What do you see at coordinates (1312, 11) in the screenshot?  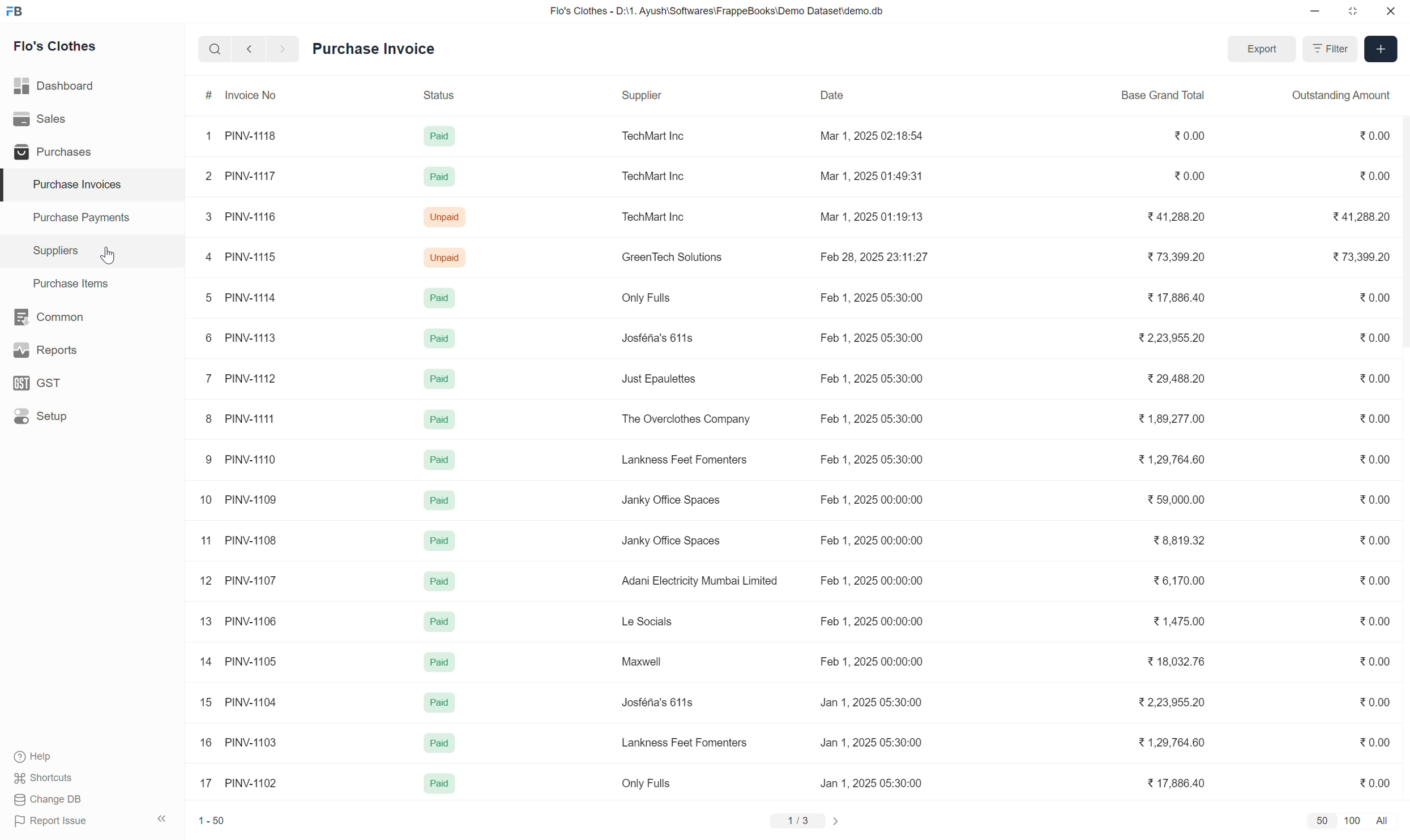 I see `minimise` at bounding box center [1312, 11].